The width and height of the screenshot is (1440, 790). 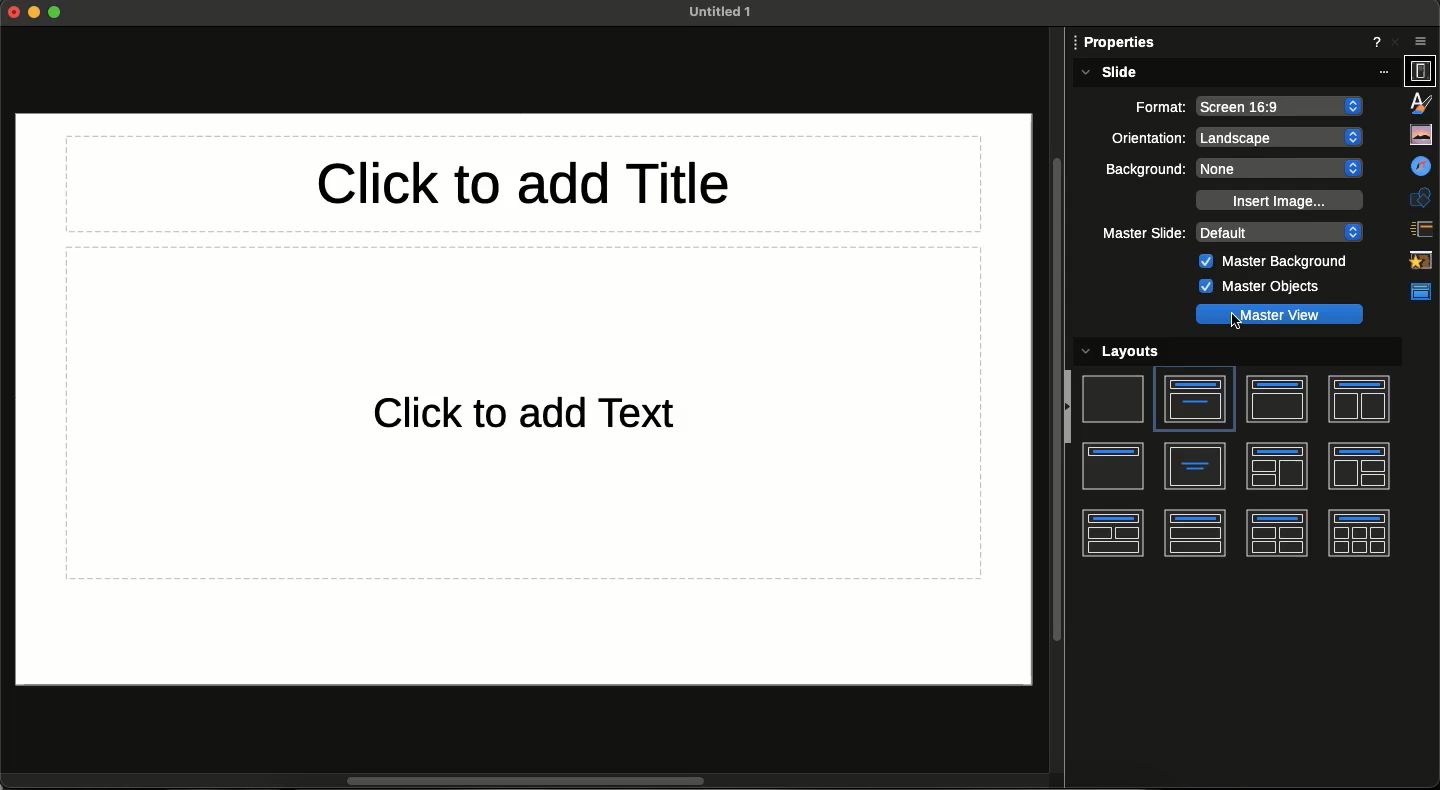 What do you see at coordinates (554, 416) in the screenshot?
I see `Text` at bounding box center [554, 416].